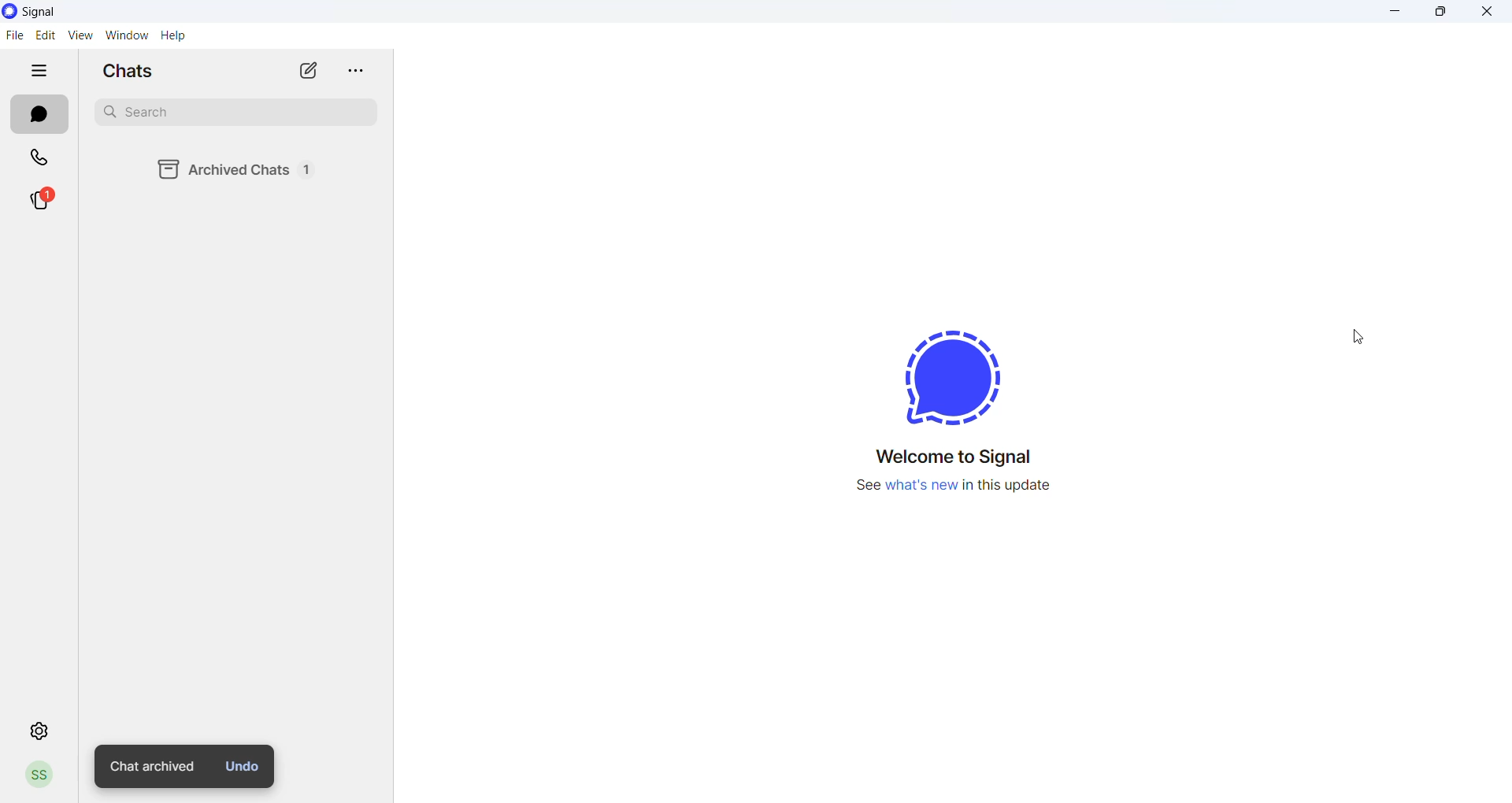 The width and height of the screenshot is (1512, 803). I want to click on maximize, so click(1436, 12).